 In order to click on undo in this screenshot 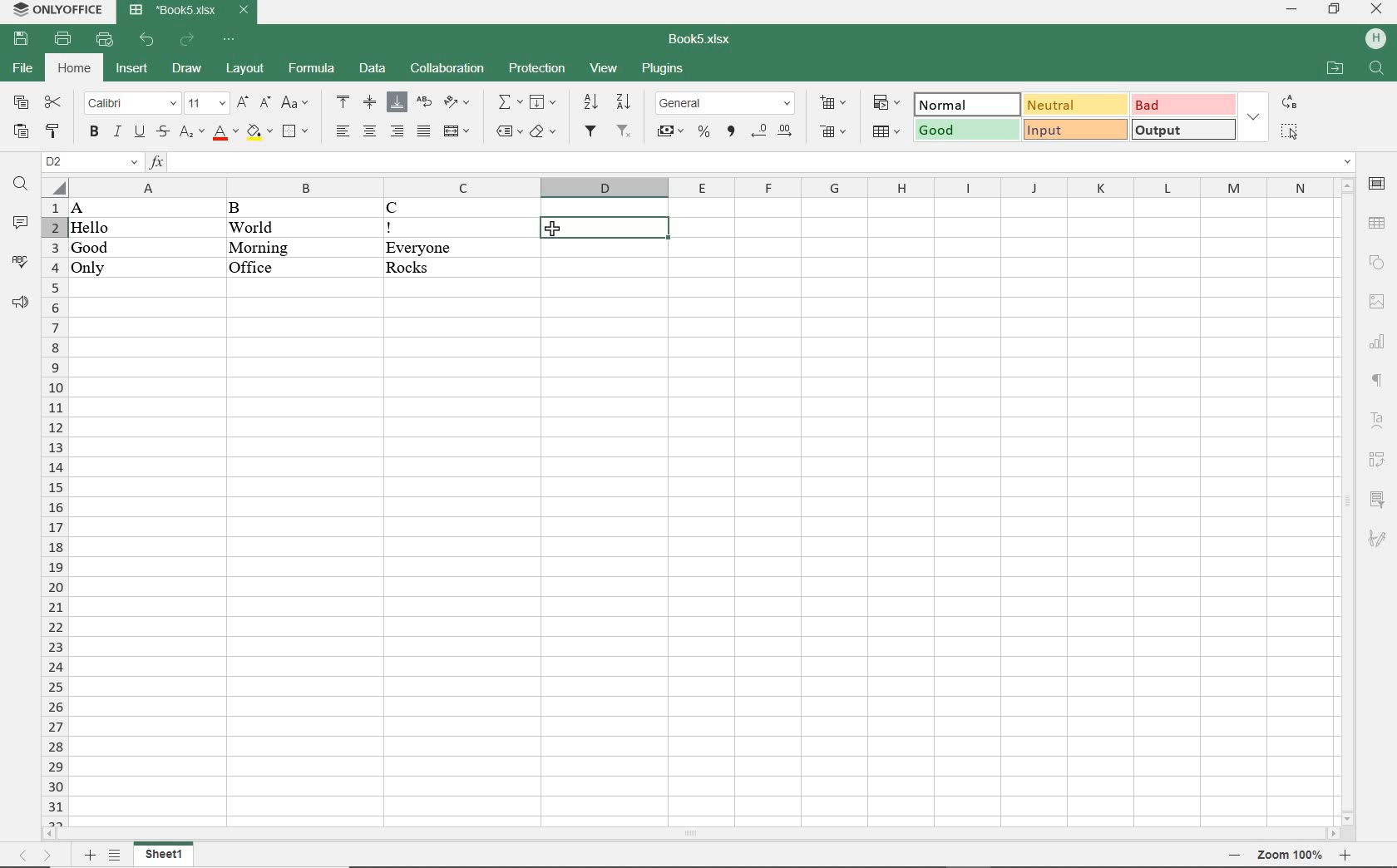, I will do `click(149, 40)`.